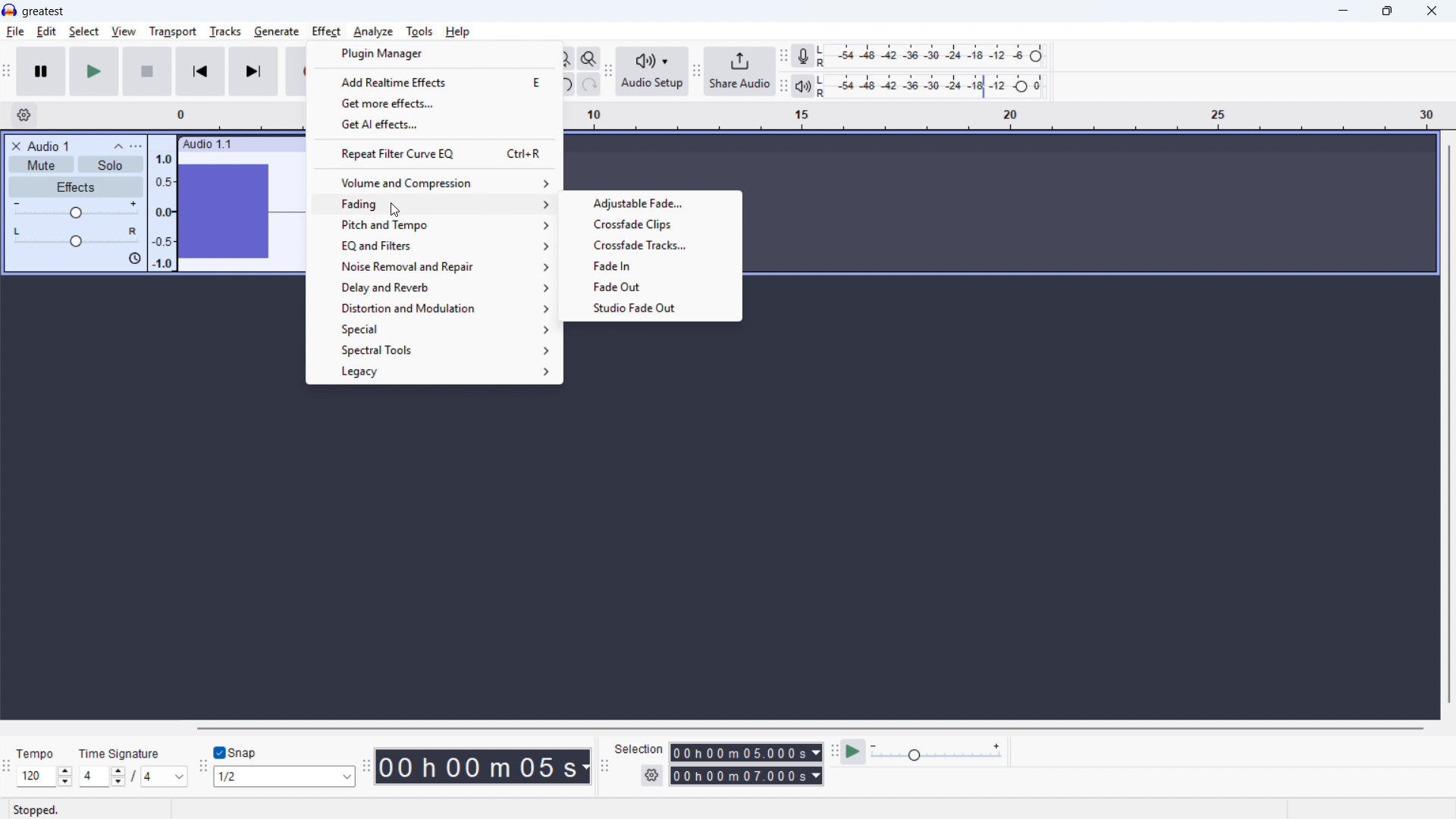 The height and width of the screenshot is (819, 1456). Describe the element at coordinates (802, 56) in the screenshot. I see `Recording metre ` at that location.